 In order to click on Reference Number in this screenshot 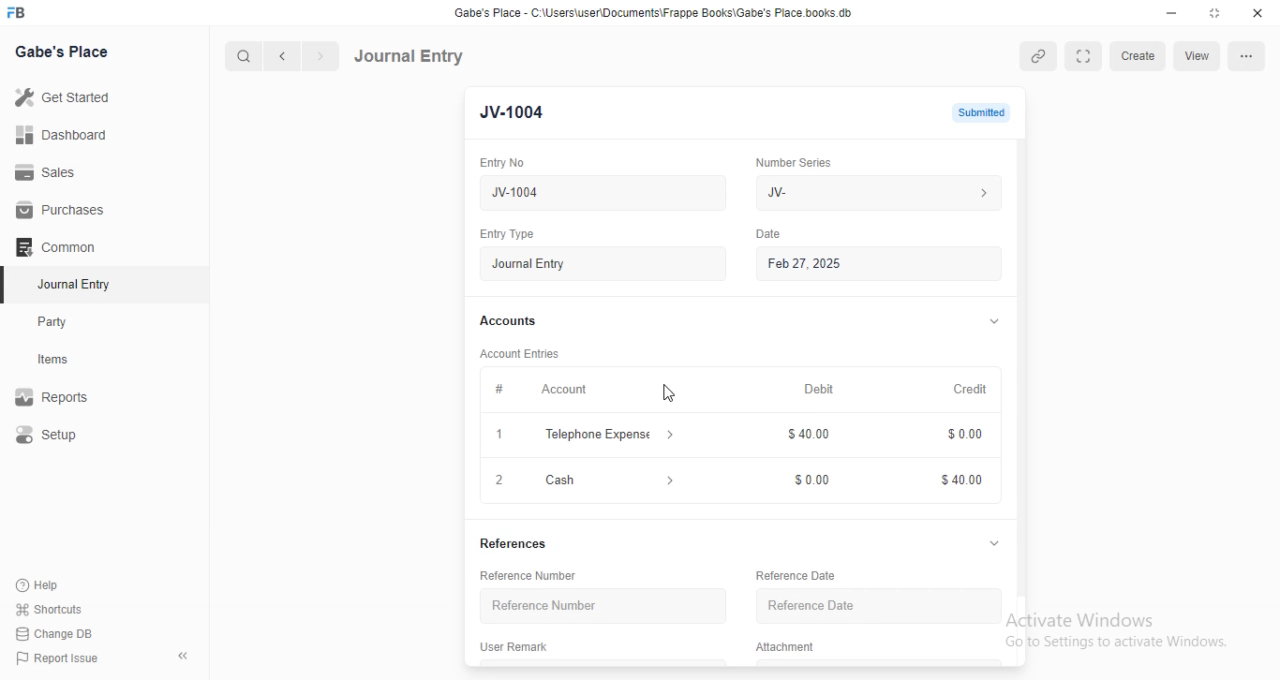, I will do `click(530, 576)`.